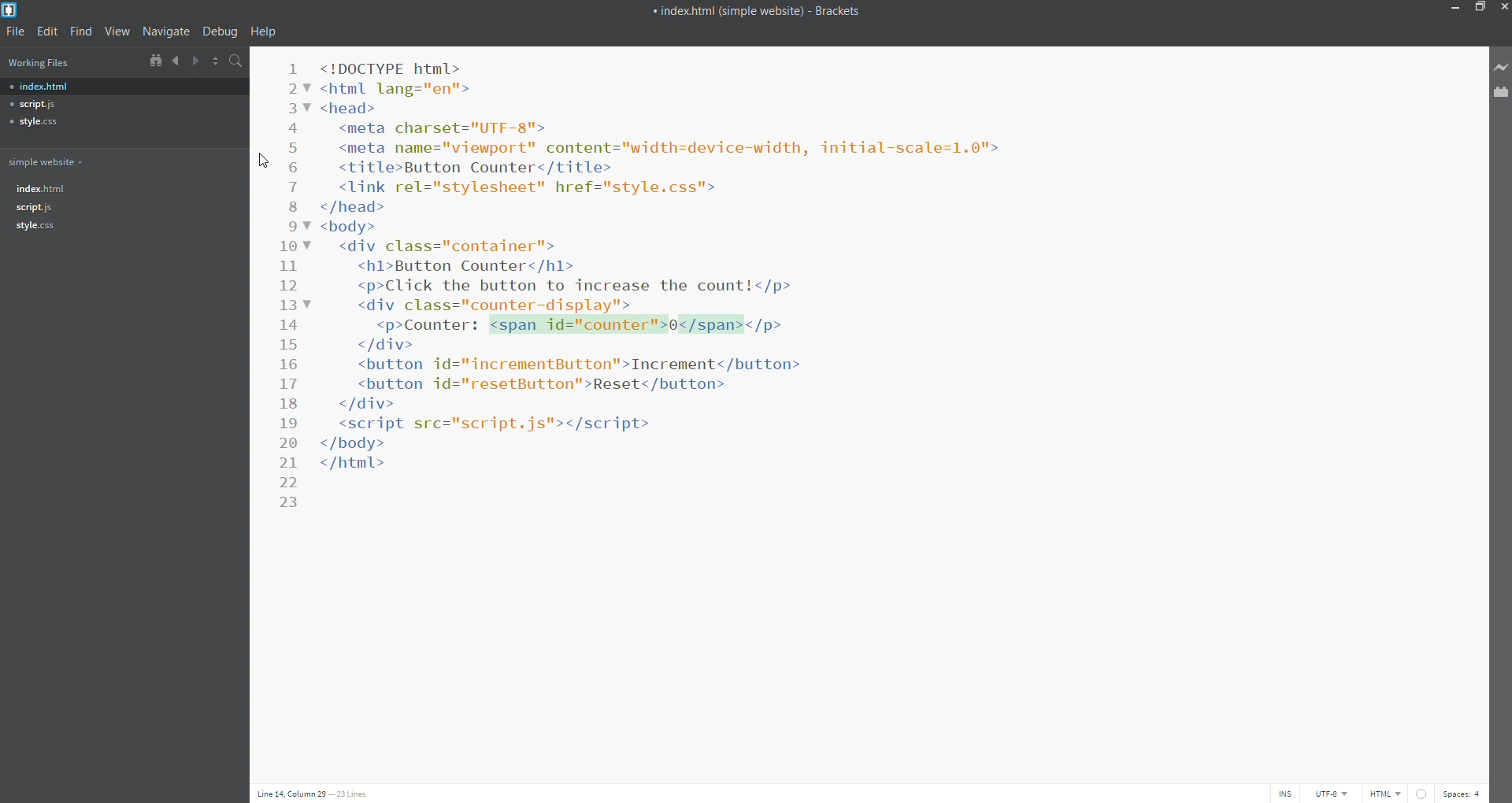  Describe the element at coordinates (1503, 97) in the screenshot. I see `extension manager` at that location.